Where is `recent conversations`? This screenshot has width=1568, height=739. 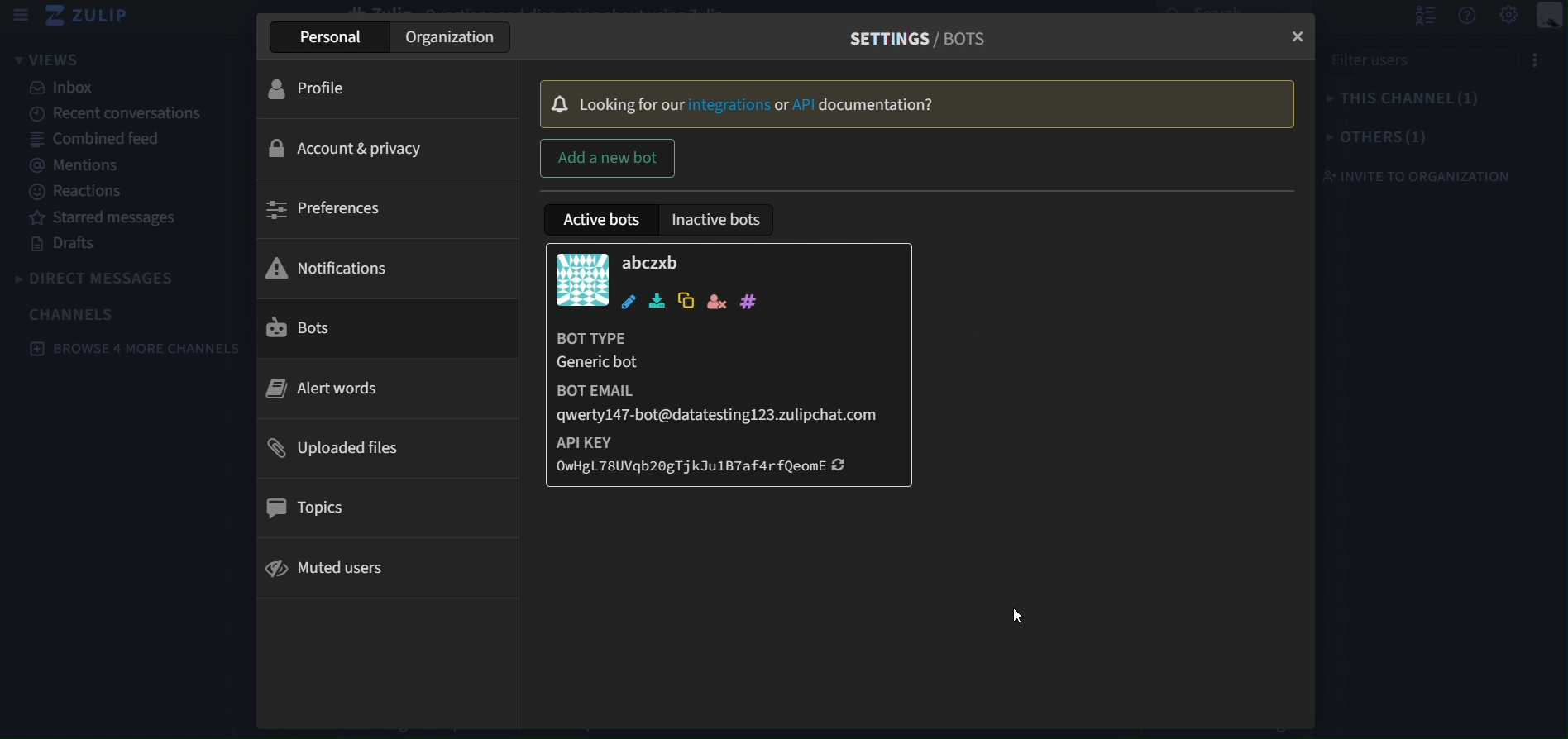
recent conversations is located at coordinates (118, 116).